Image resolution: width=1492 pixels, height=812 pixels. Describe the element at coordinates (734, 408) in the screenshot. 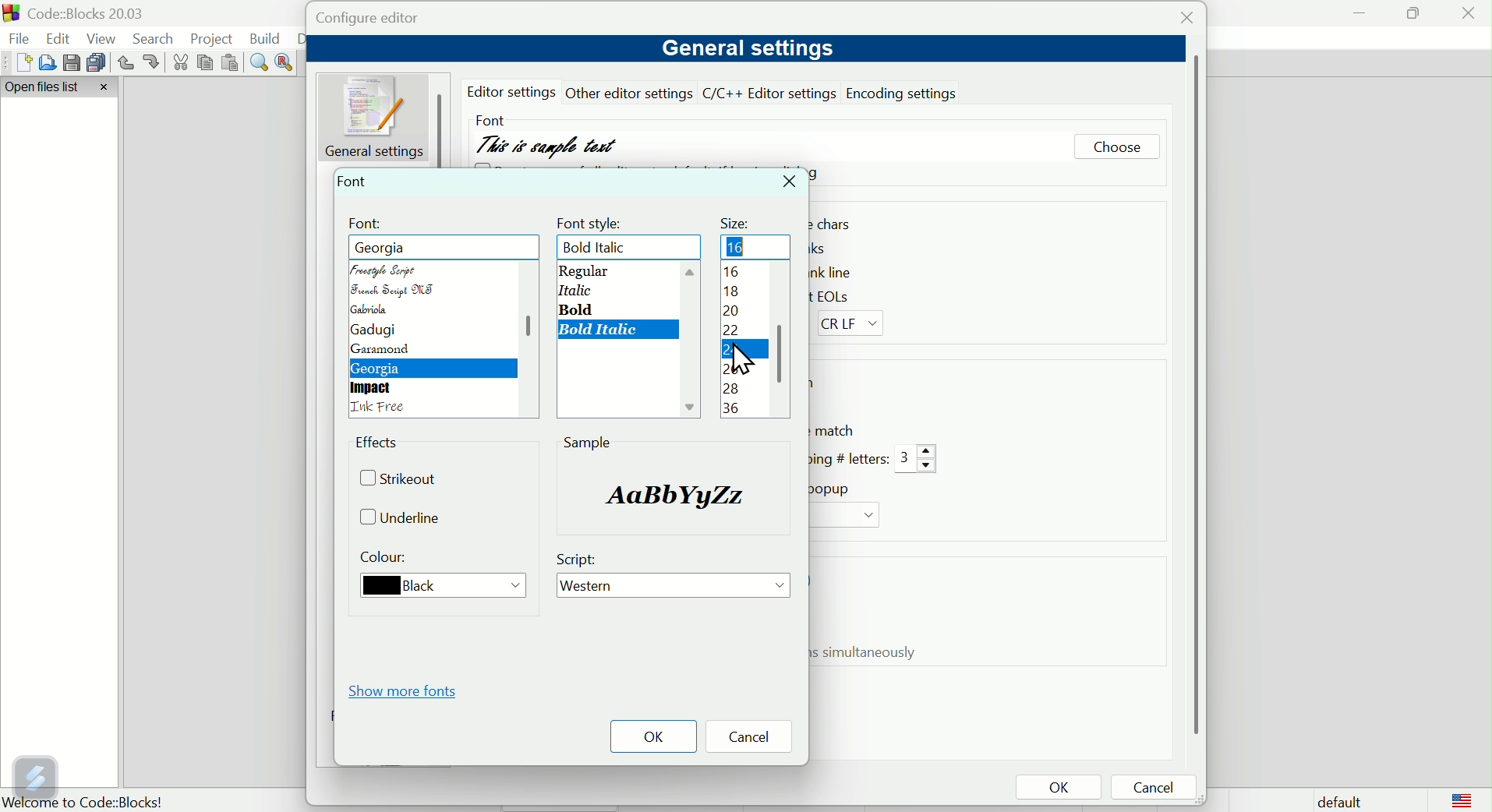

I see `36` at that location.